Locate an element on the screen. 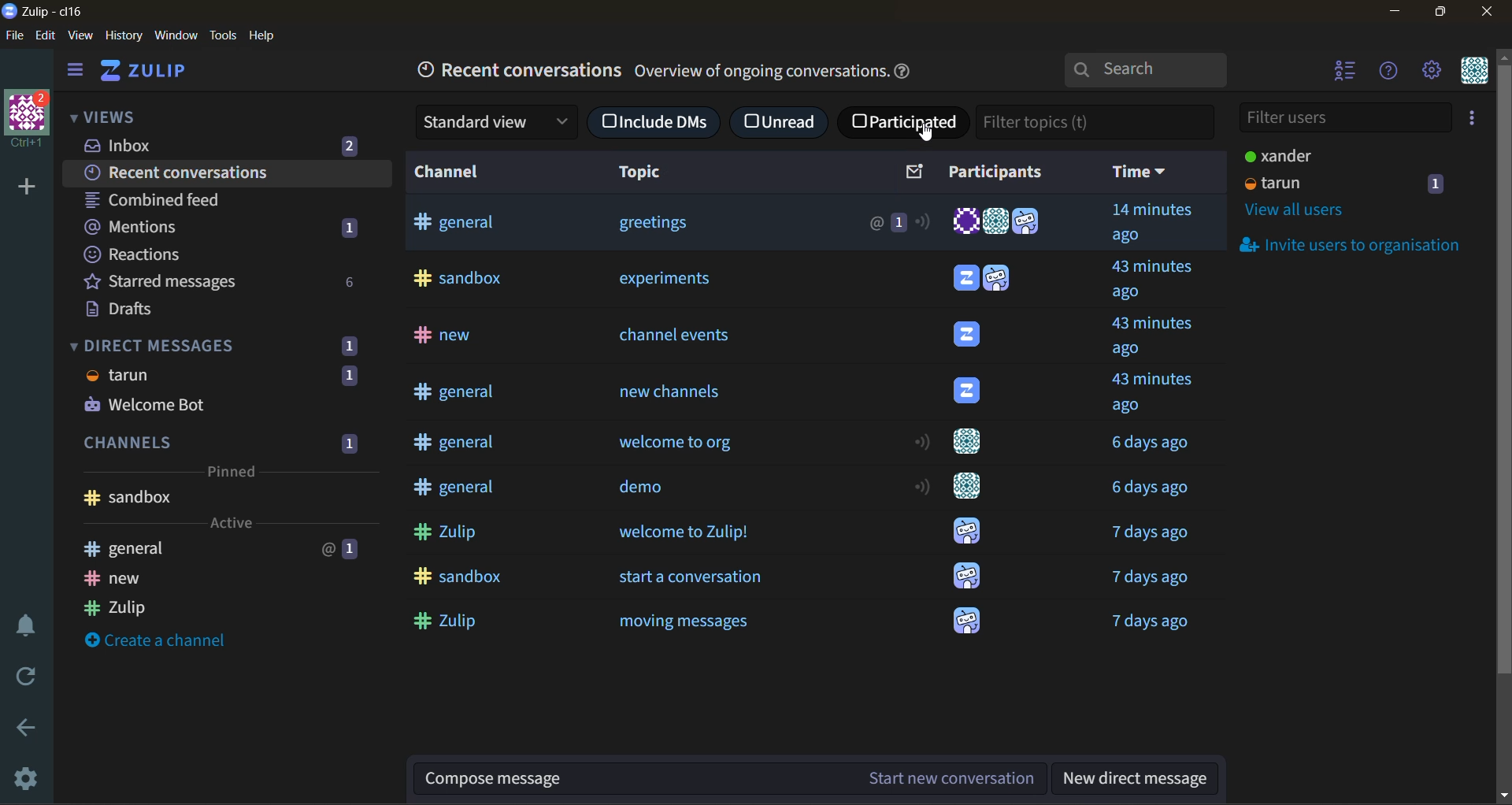 Image resolution: width=1512 pixels, height=805 pixels. participants is located at coordinates (977, 175).